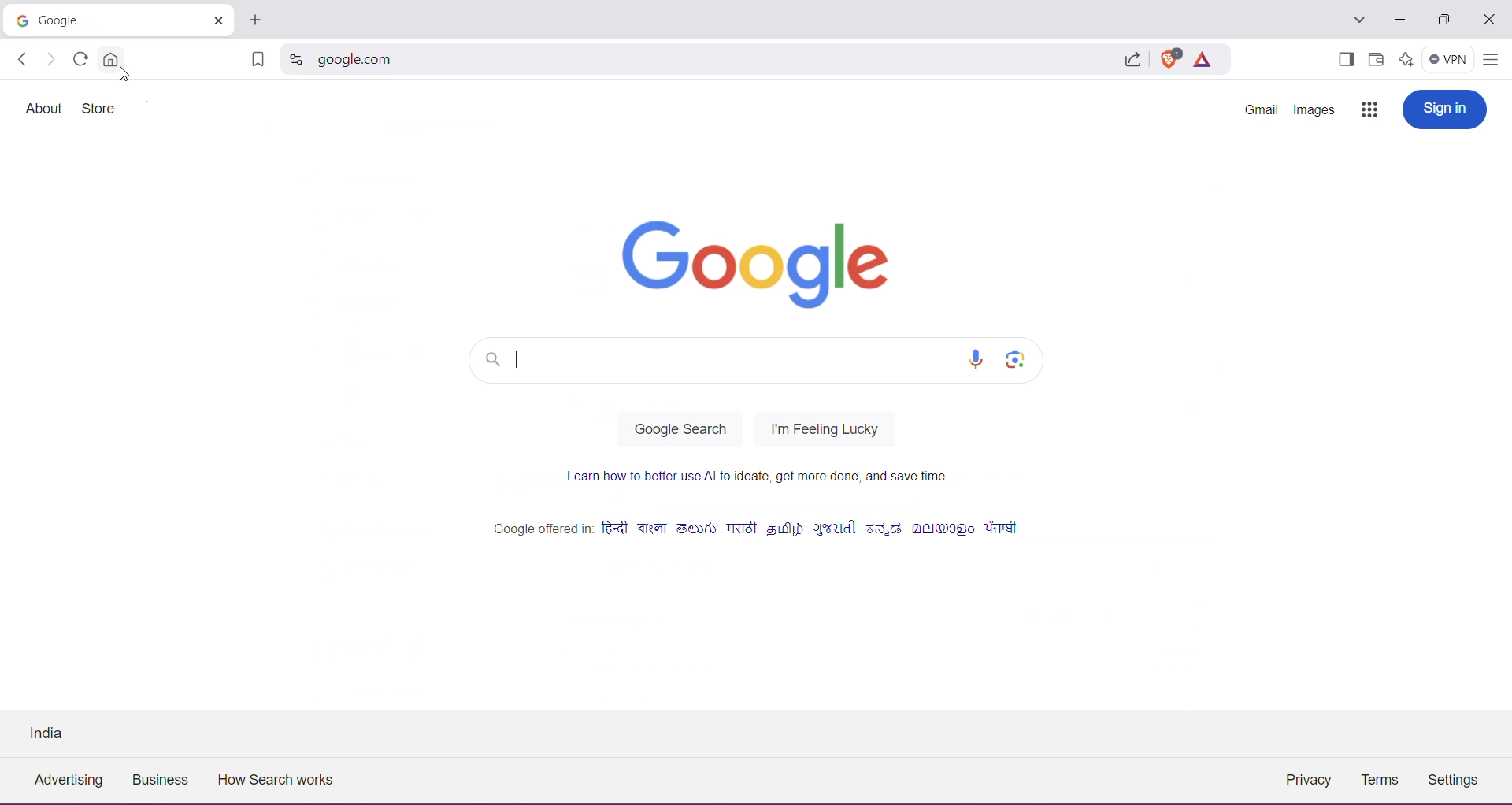  I want to click on Settings, so click(324, 108).